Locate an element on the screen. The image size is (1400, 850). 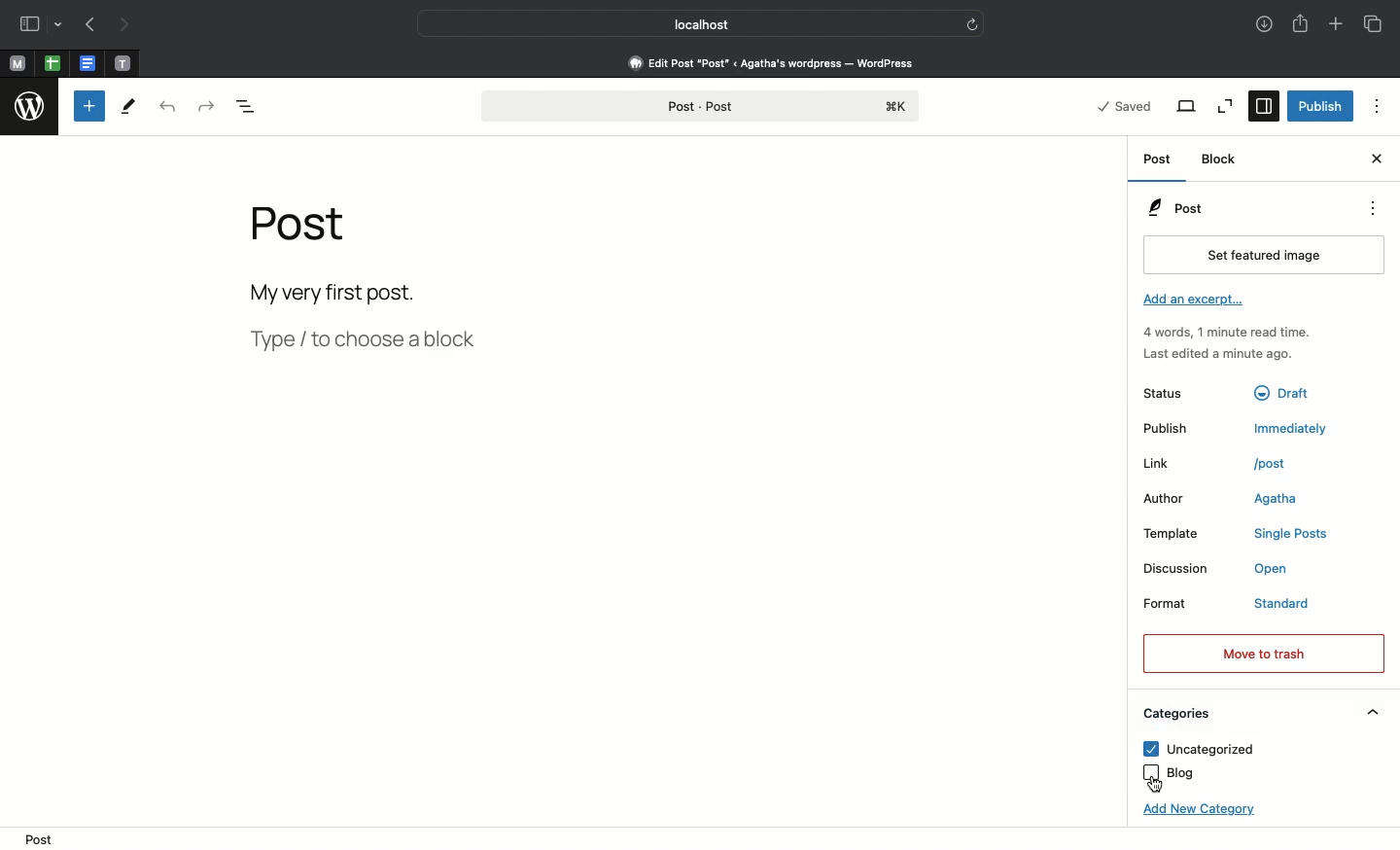
Single posts is located at coordinates (1295, 536).